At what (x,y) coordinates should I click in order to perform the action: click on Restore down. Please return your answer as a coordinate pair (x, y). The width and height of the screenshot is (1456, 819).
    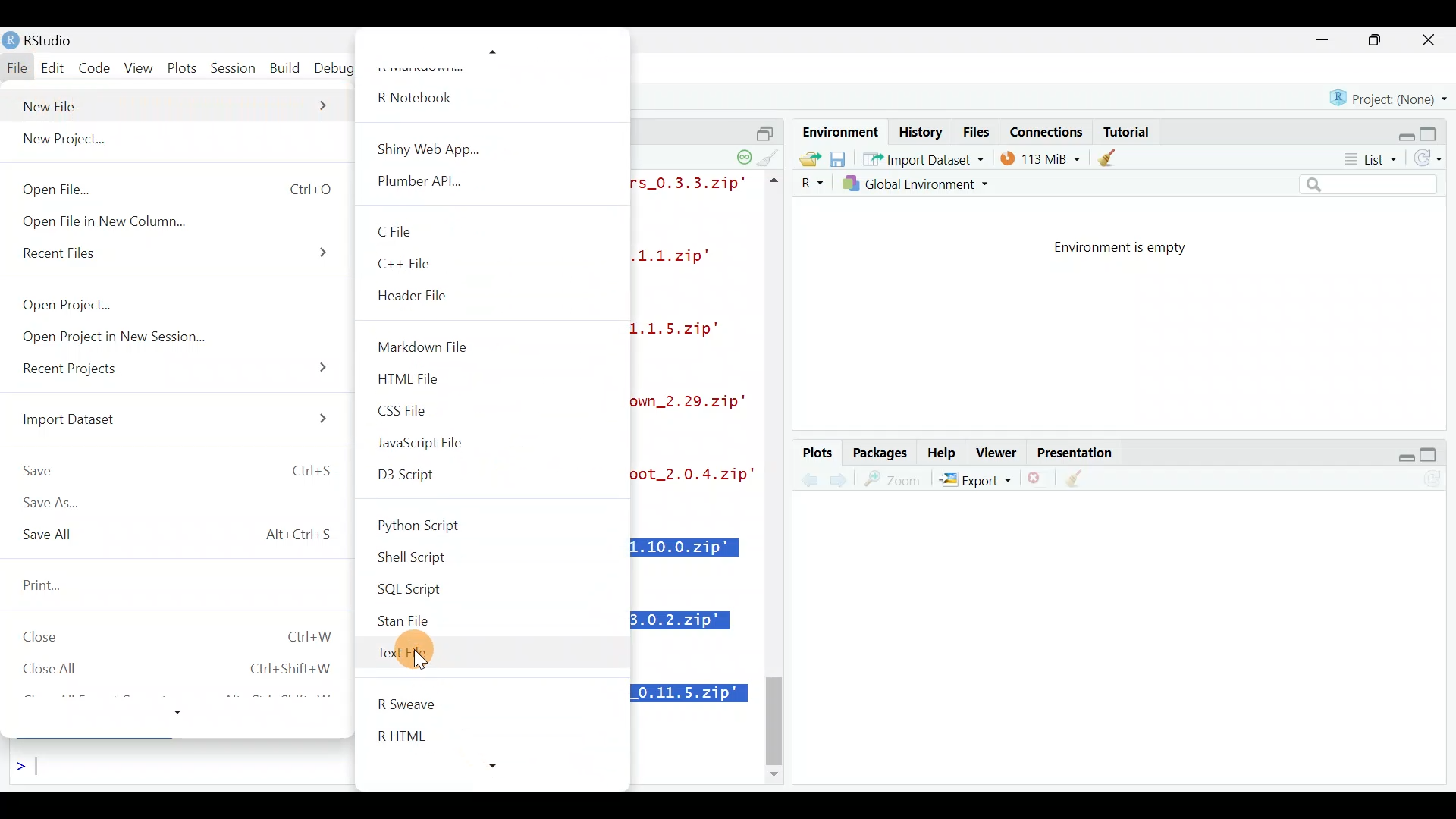
    Looking at the image, I should click on (1398, 455).